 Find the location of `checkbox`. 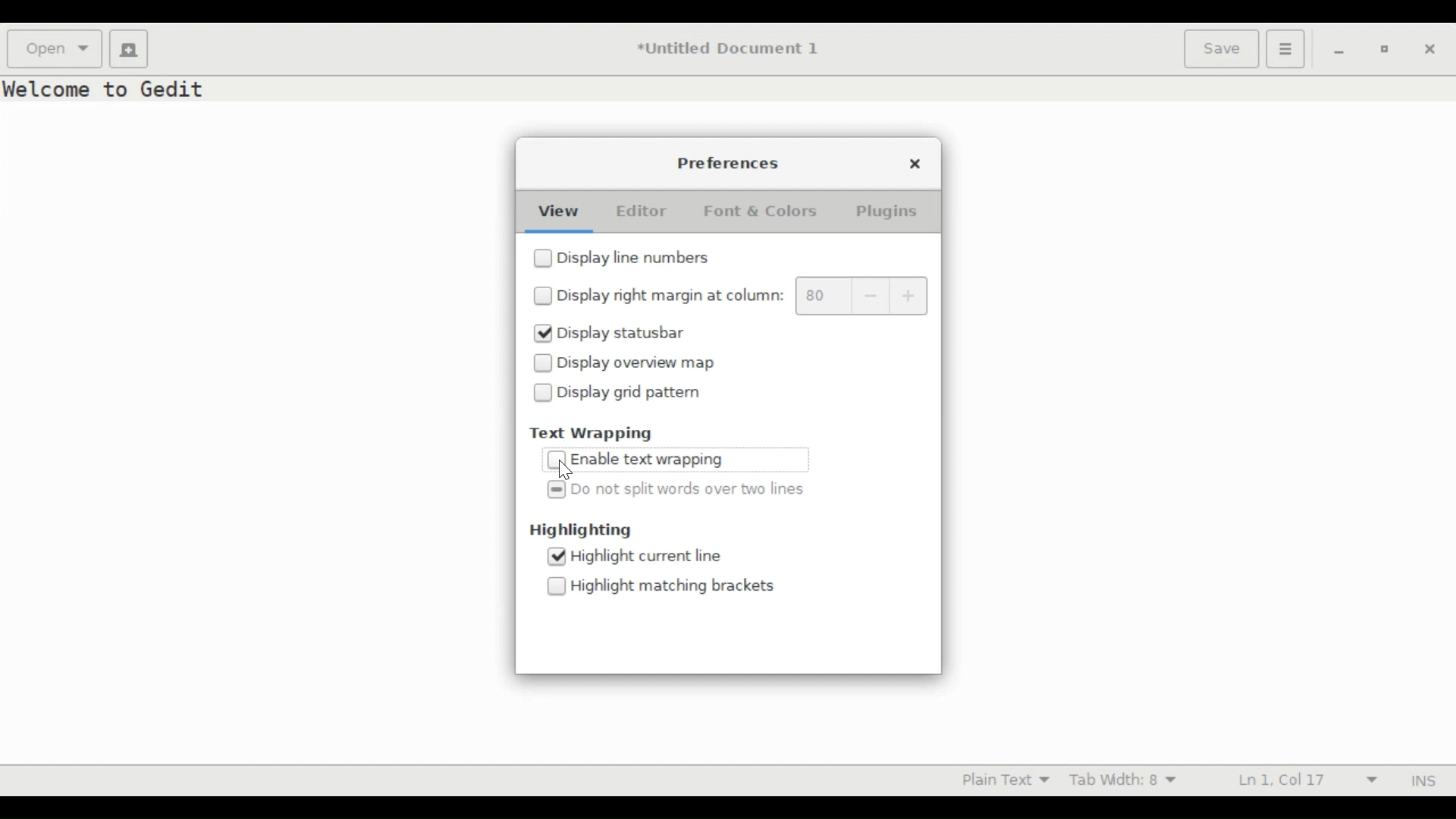

checkbox is located at coordinates (543, 395).